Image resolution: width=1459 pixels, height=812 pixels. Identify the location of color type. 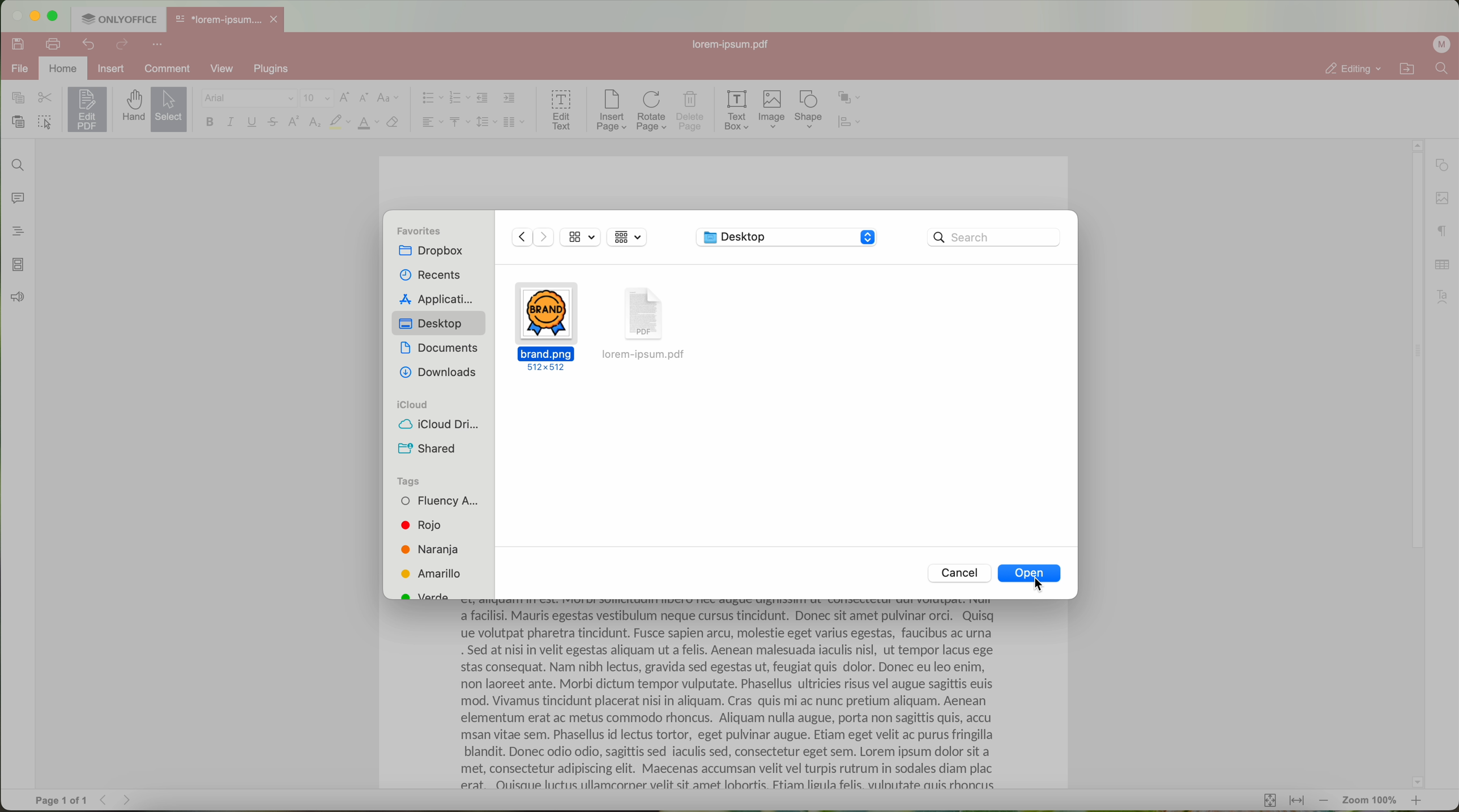
(369, 123).